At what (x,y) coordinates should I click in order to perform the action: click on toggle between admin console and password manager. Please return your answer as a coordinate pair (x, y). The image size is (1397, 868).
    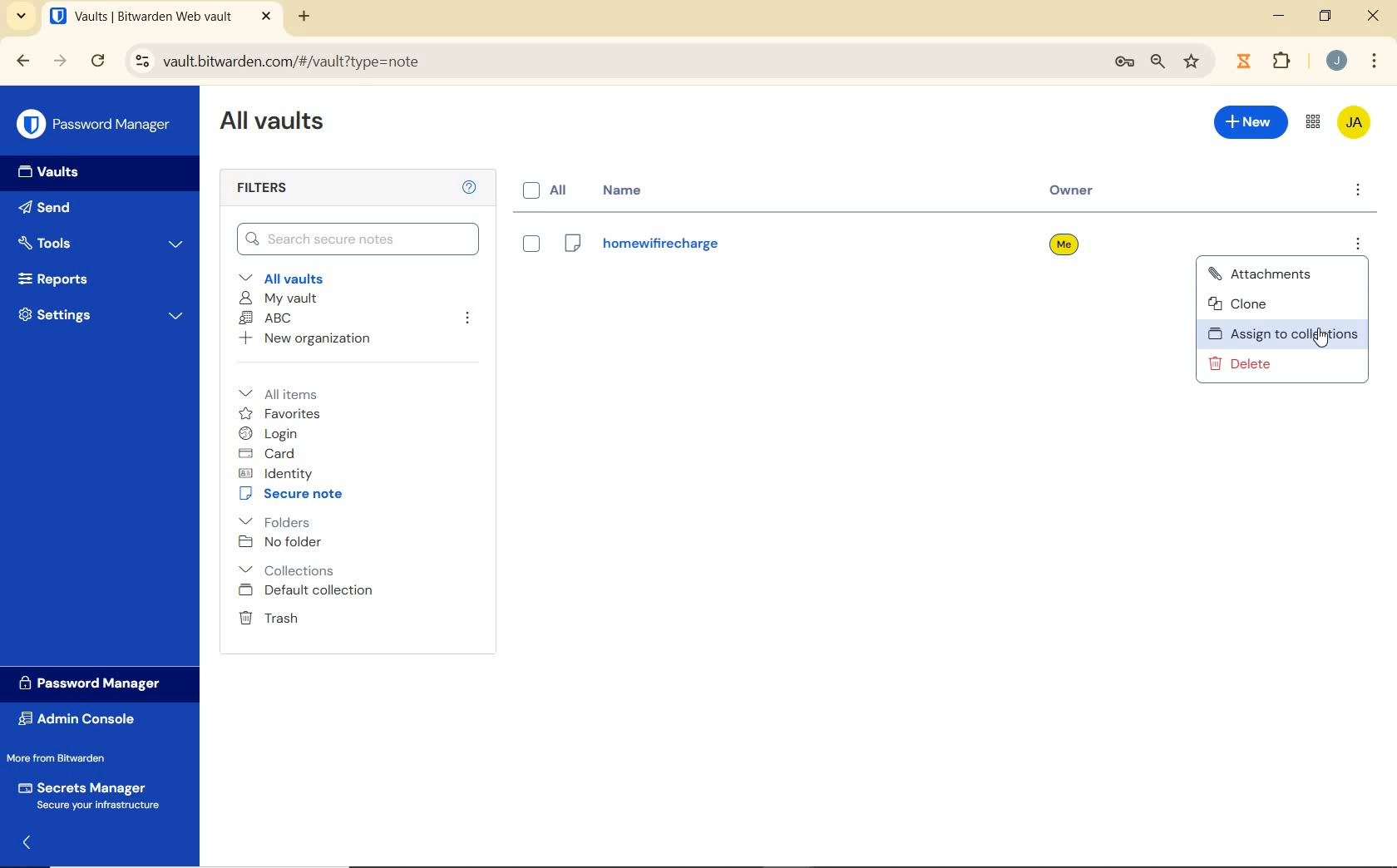
    Looking at the image, I should click on (1313, 123).